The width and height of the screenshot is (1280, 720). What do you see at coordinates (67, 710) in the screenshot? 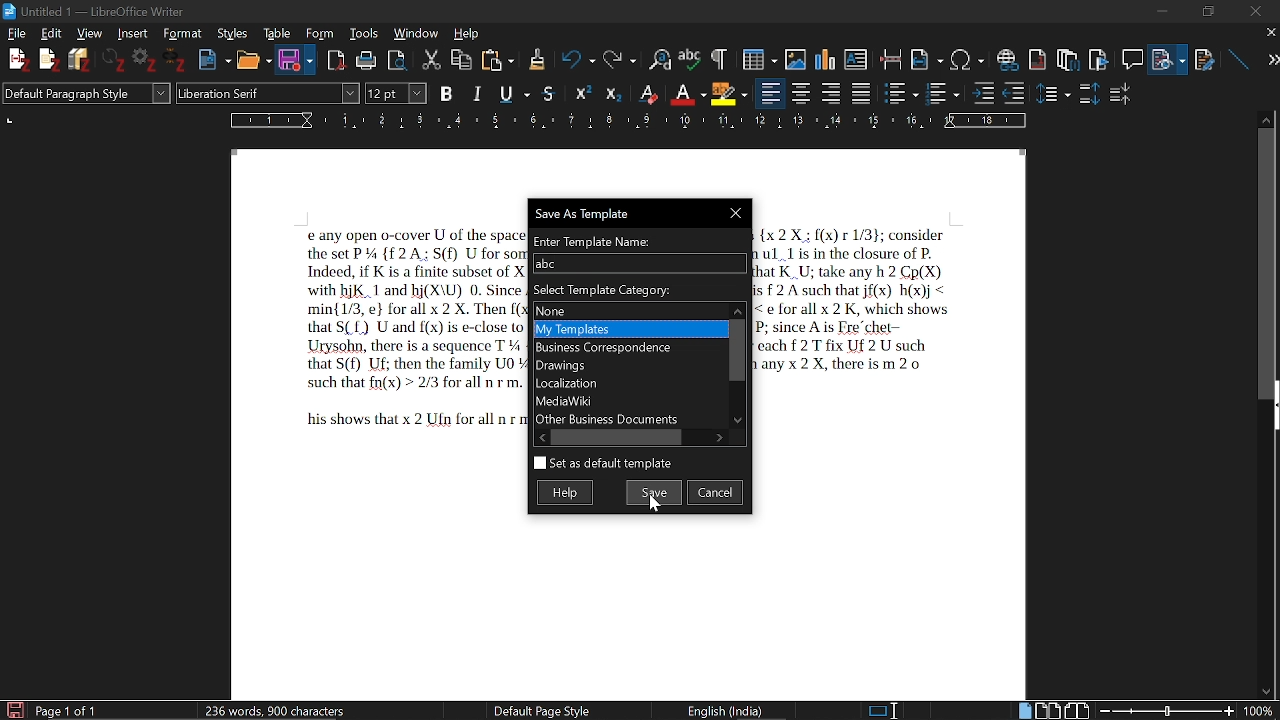
I see `Page 1 of 1` at bounding box center [67, 710].